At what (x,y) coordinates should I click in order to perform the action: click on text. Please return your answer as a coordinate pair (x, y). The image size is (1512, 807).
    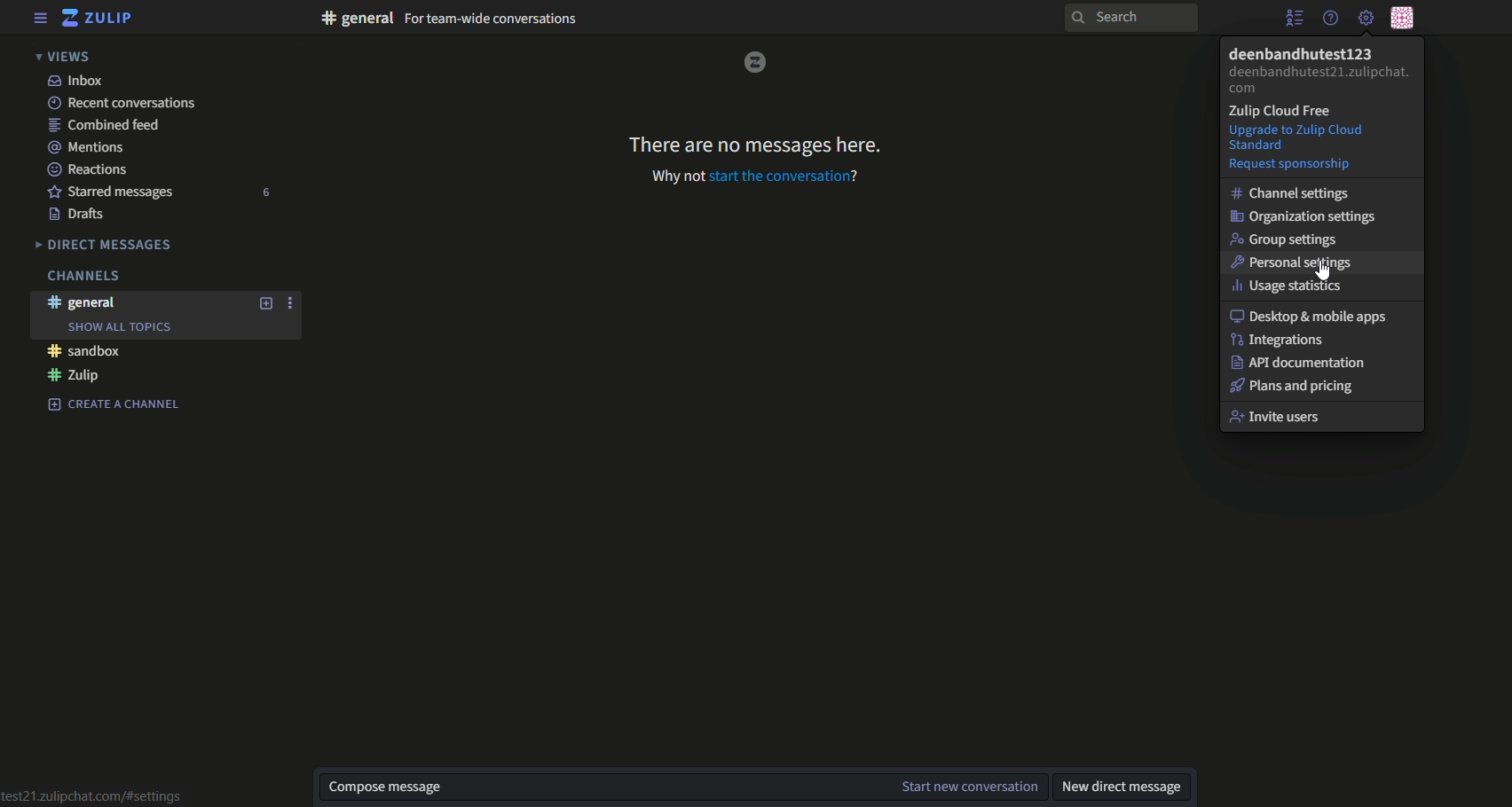
    Looking at the image, I should click on (758, 142).